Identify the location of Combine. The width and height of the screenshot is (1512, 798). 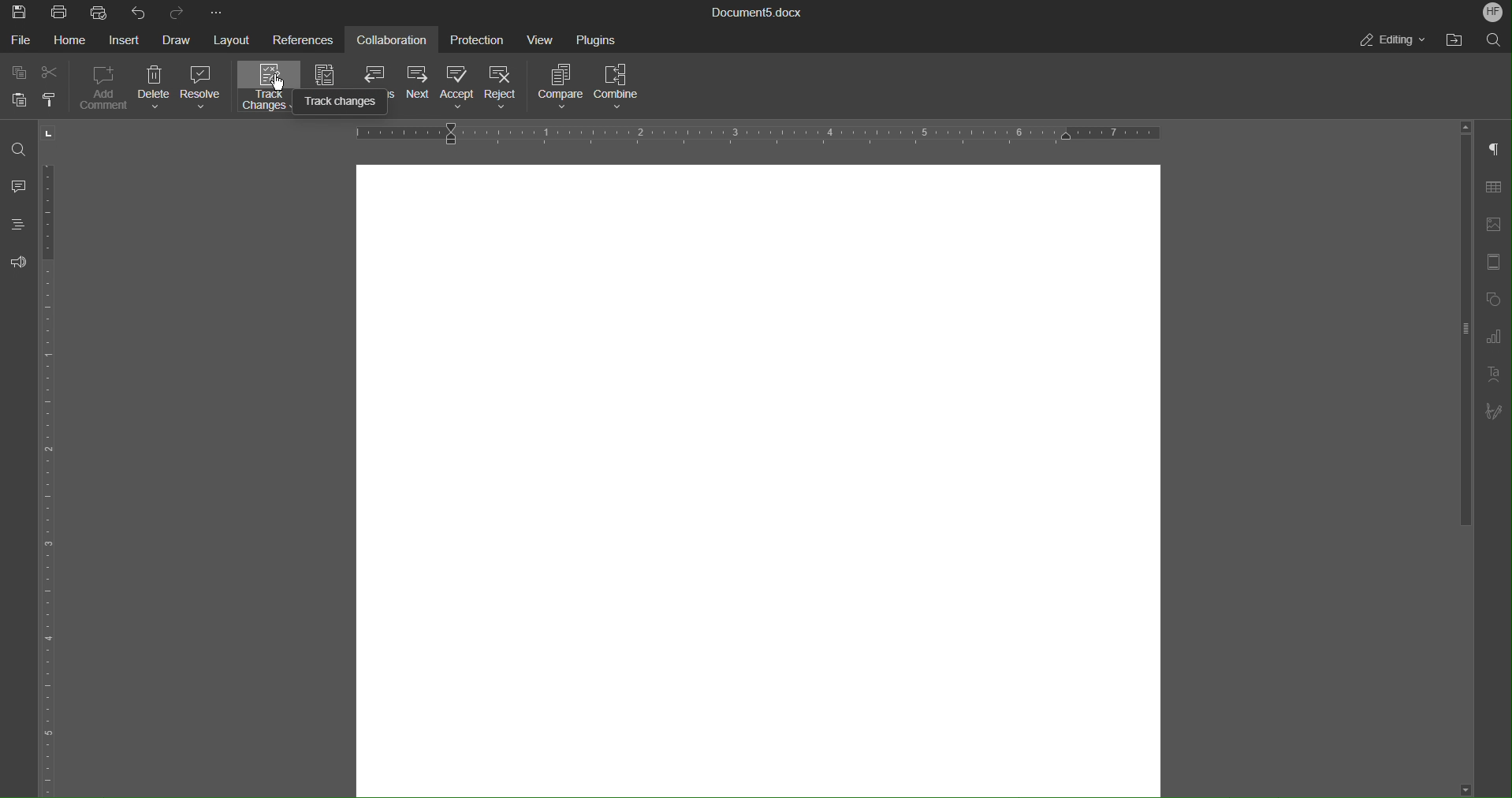
(625, 88).